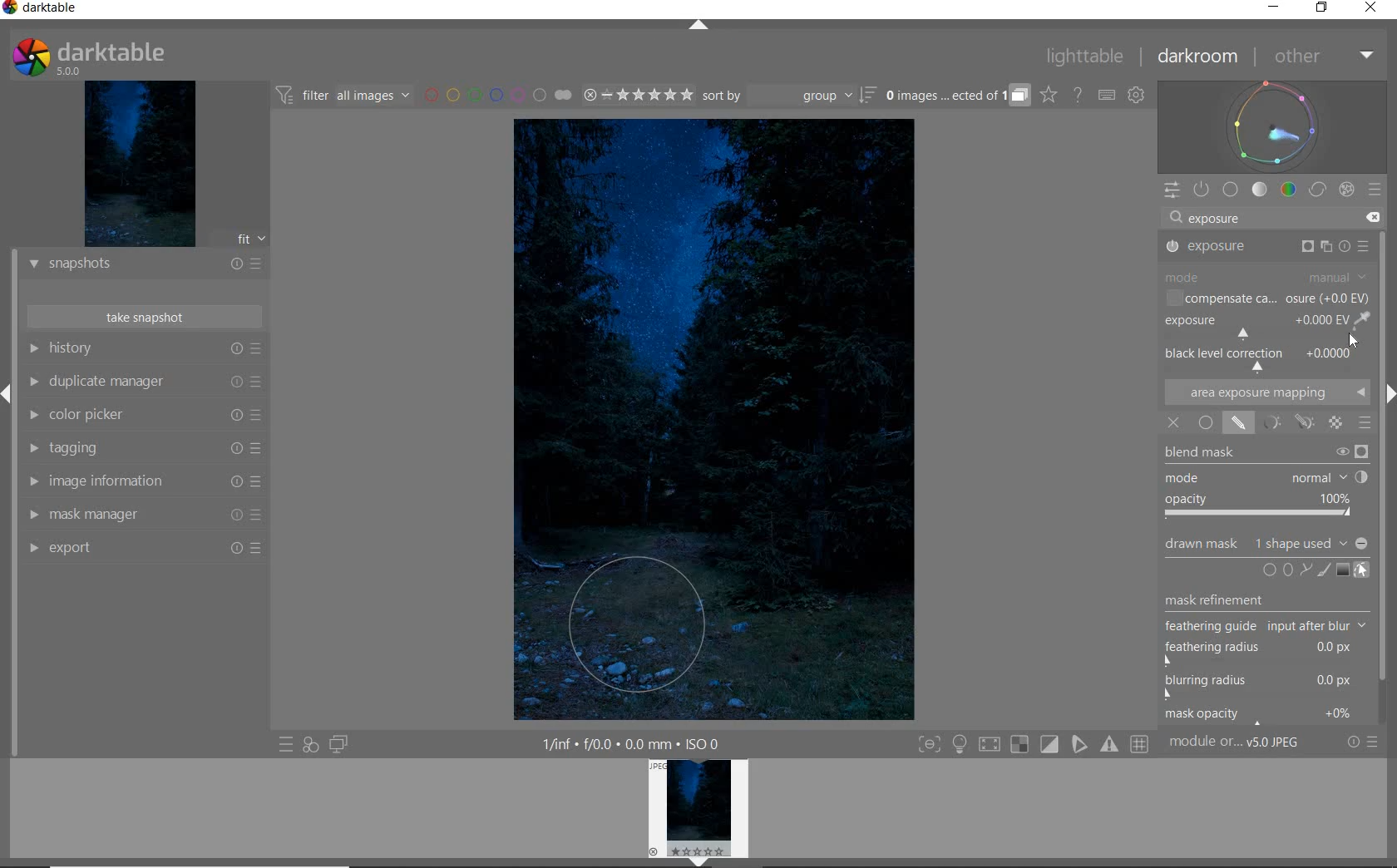 Image resolution: width=1397 pixels, height=868 pixels. Describe the element at coordinates (1136, 95) in the screenshot. I see `SHOW GLOBAL PREFERENCES` at that location.